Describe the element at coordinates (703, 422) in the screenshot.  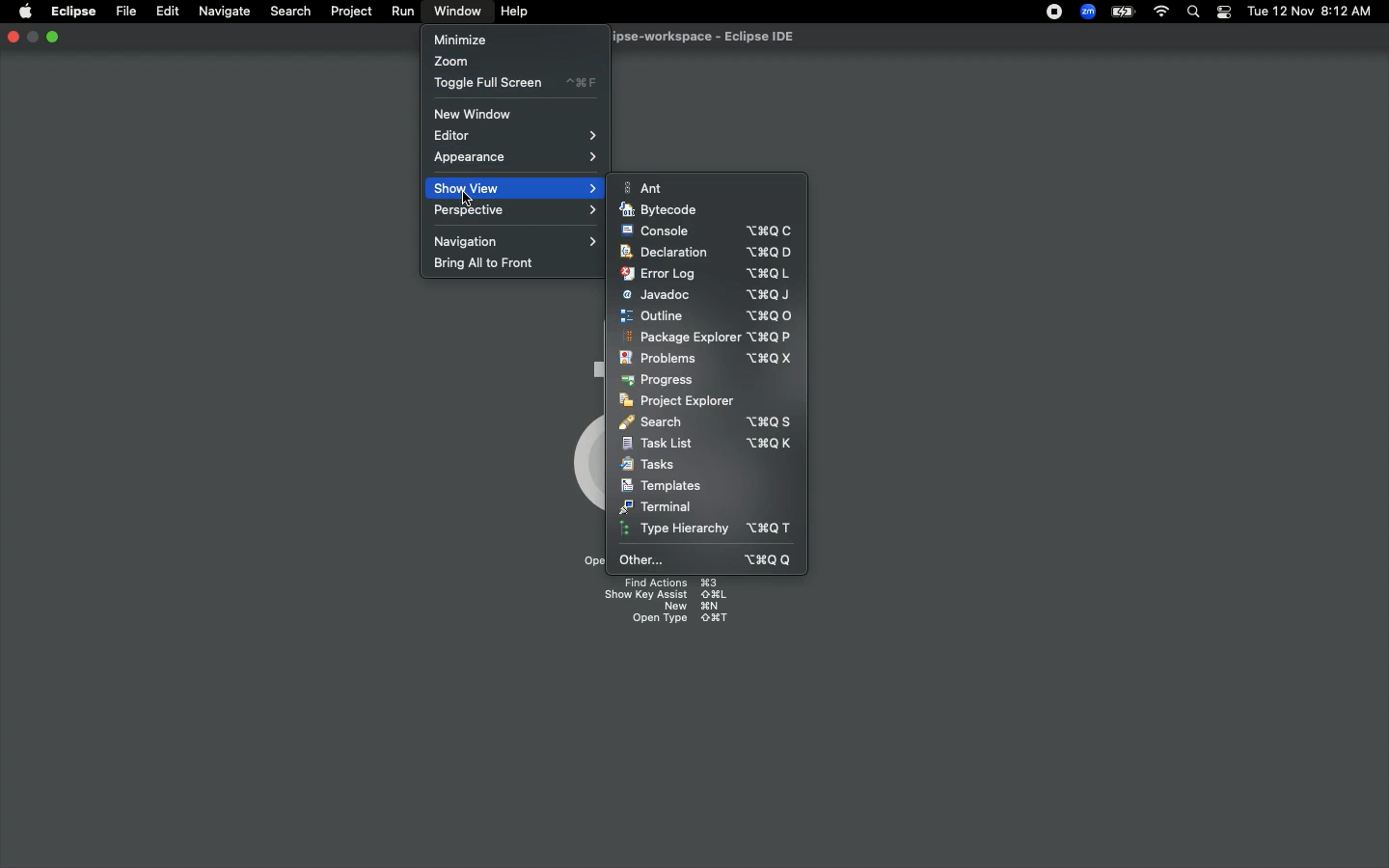
I see `Search` at that location.